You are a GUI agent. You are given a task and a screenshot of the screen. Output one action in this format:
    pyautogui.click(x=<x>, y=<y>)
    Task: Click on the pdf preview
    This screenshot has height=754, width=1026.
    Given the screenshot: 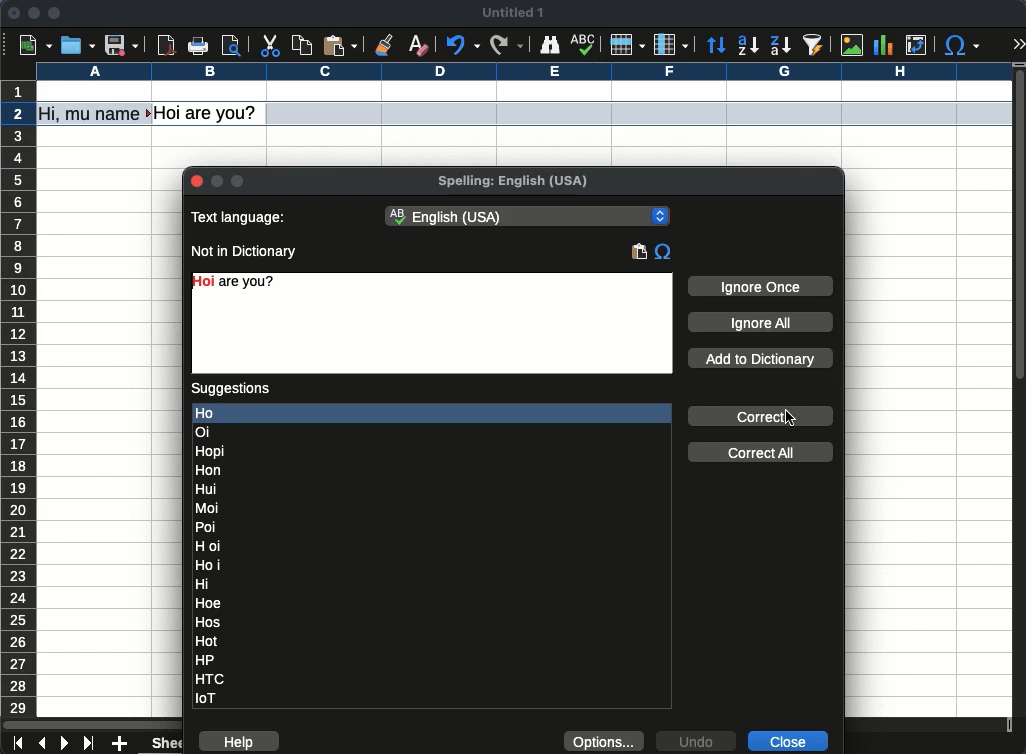 What is the action you would take?
    pyautogui.click(x=167, y=45)
    